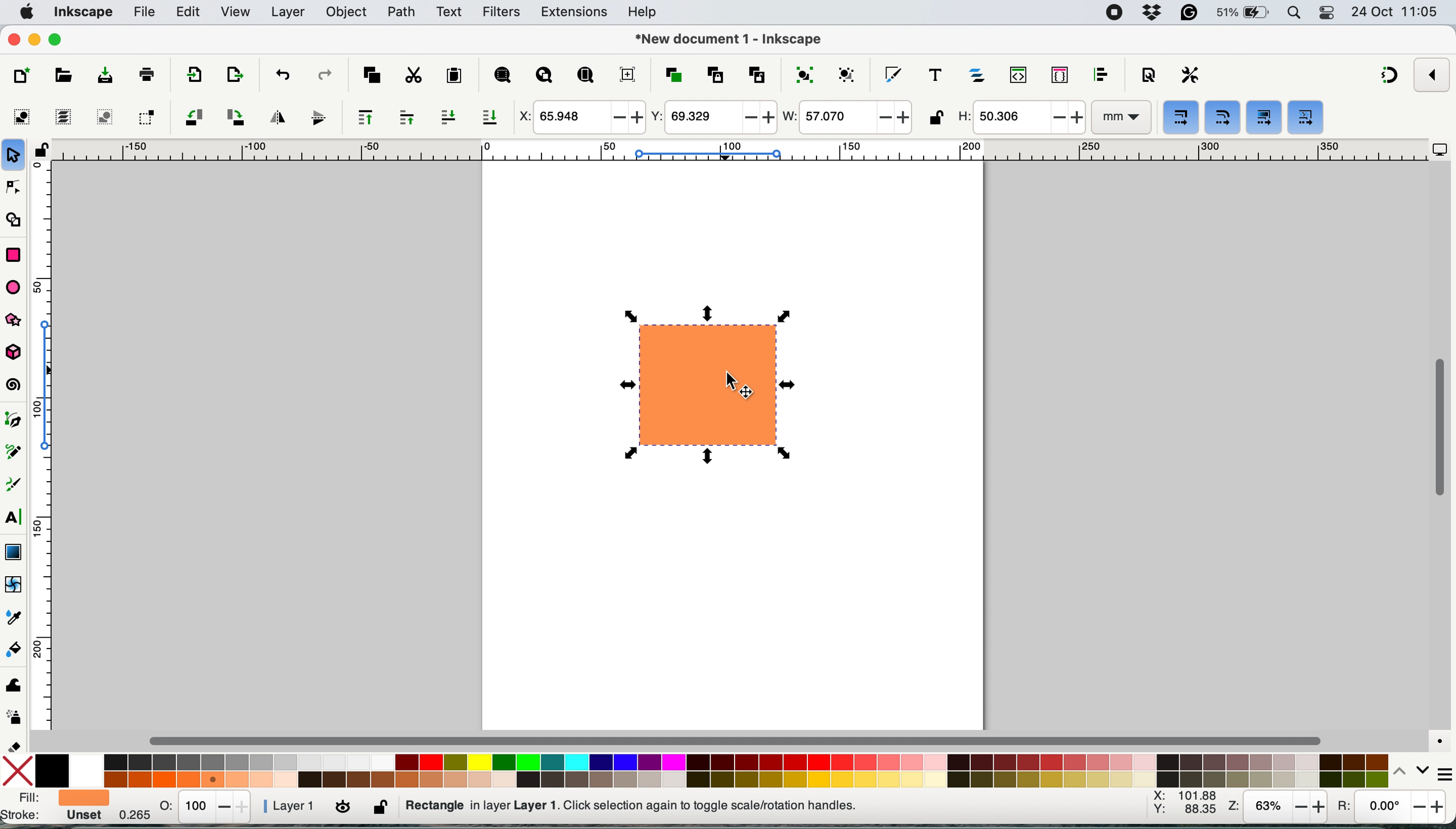  What do you see at coordinates (803, 73) in the screenshot?
I see `group` at bounding box center [803, 73].